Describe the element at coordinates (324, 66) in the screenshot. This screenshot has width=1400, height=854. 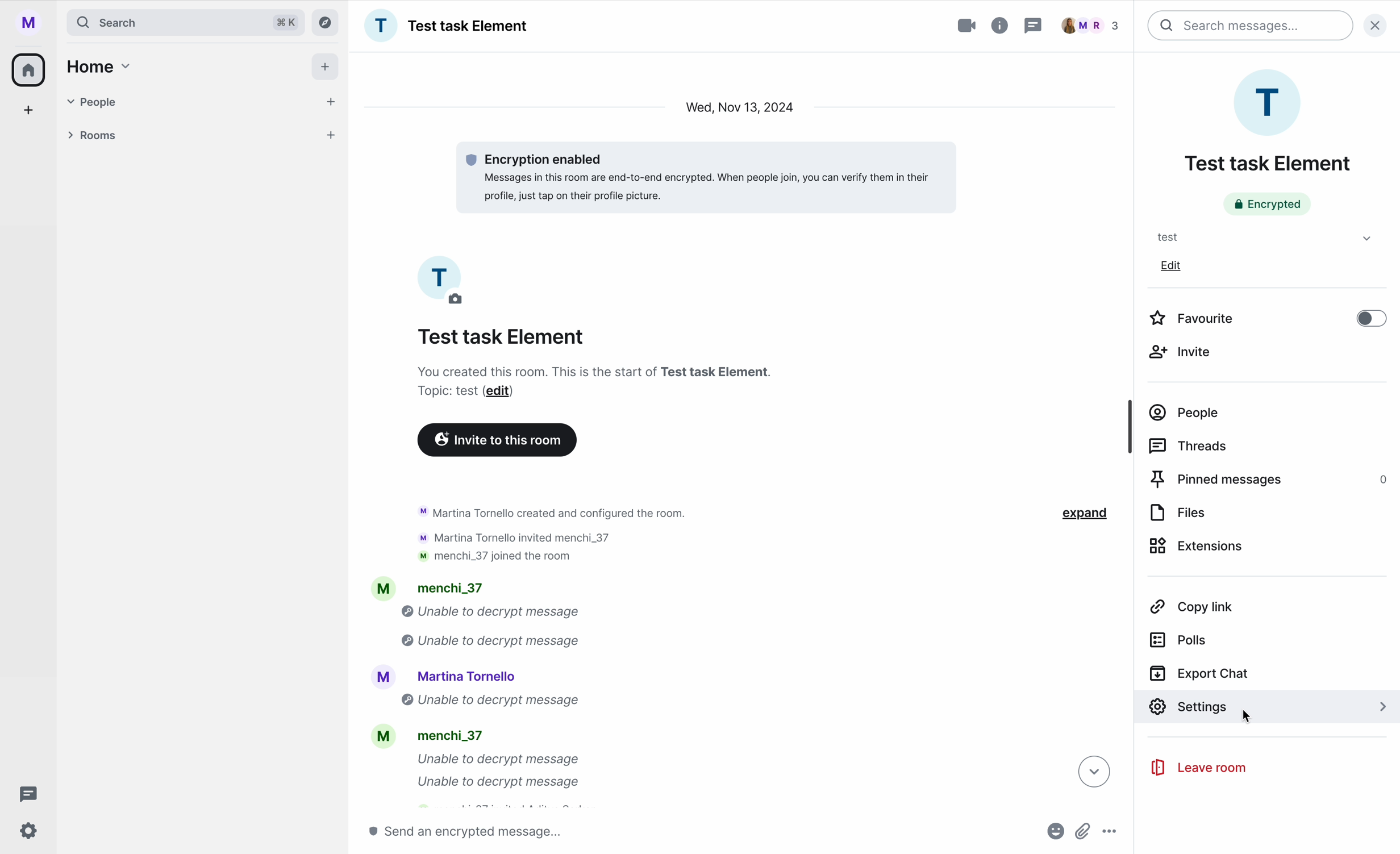
I see `add` at that location.